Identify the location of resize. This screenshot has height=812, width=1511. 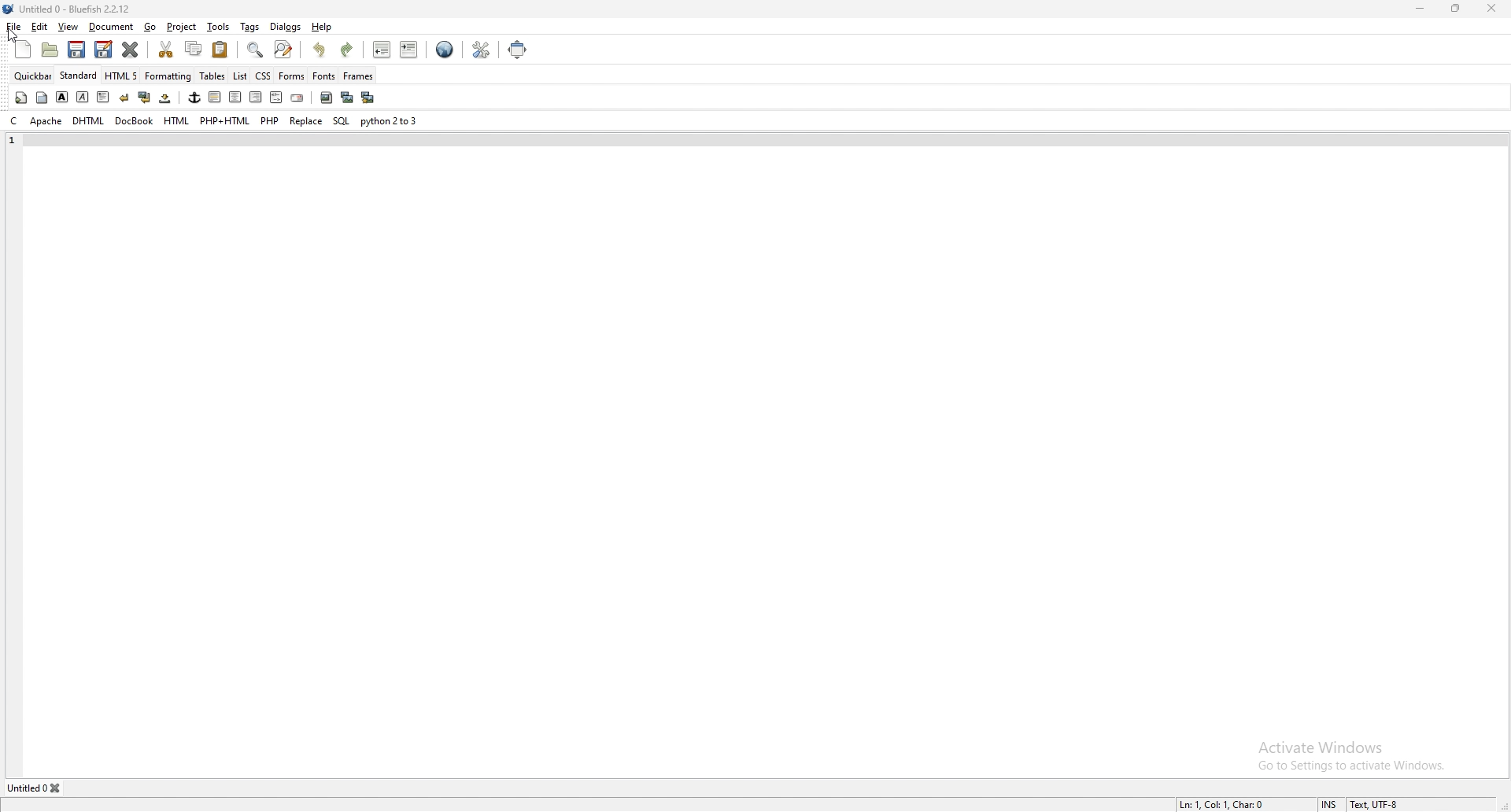
(1456, 8).